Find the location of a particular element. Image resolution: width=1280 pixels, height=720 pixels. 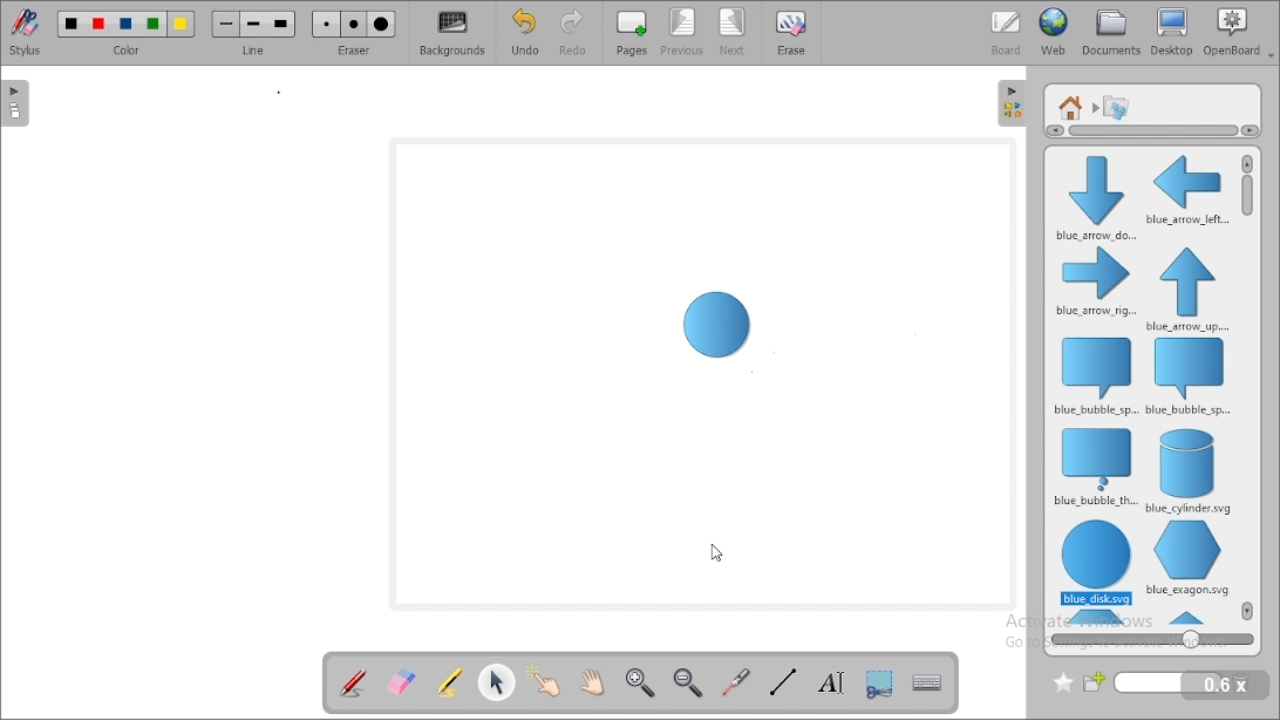

visual laser pointer is located at coordinates (737, 683).